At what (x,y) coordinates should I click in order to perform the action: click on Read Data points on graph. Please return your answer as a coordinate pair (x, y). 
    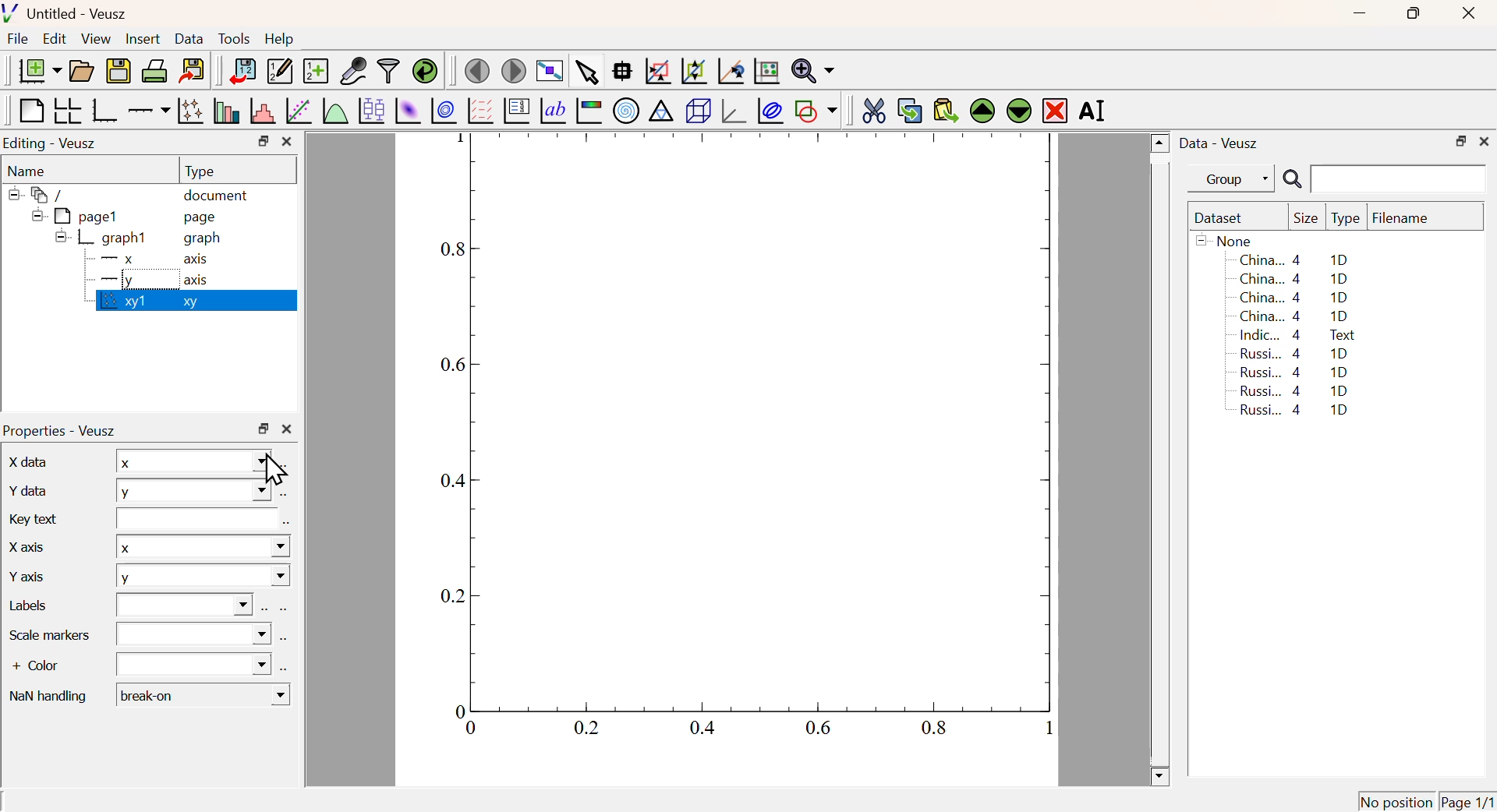
    Looking at the image, I should click on (622, 70).